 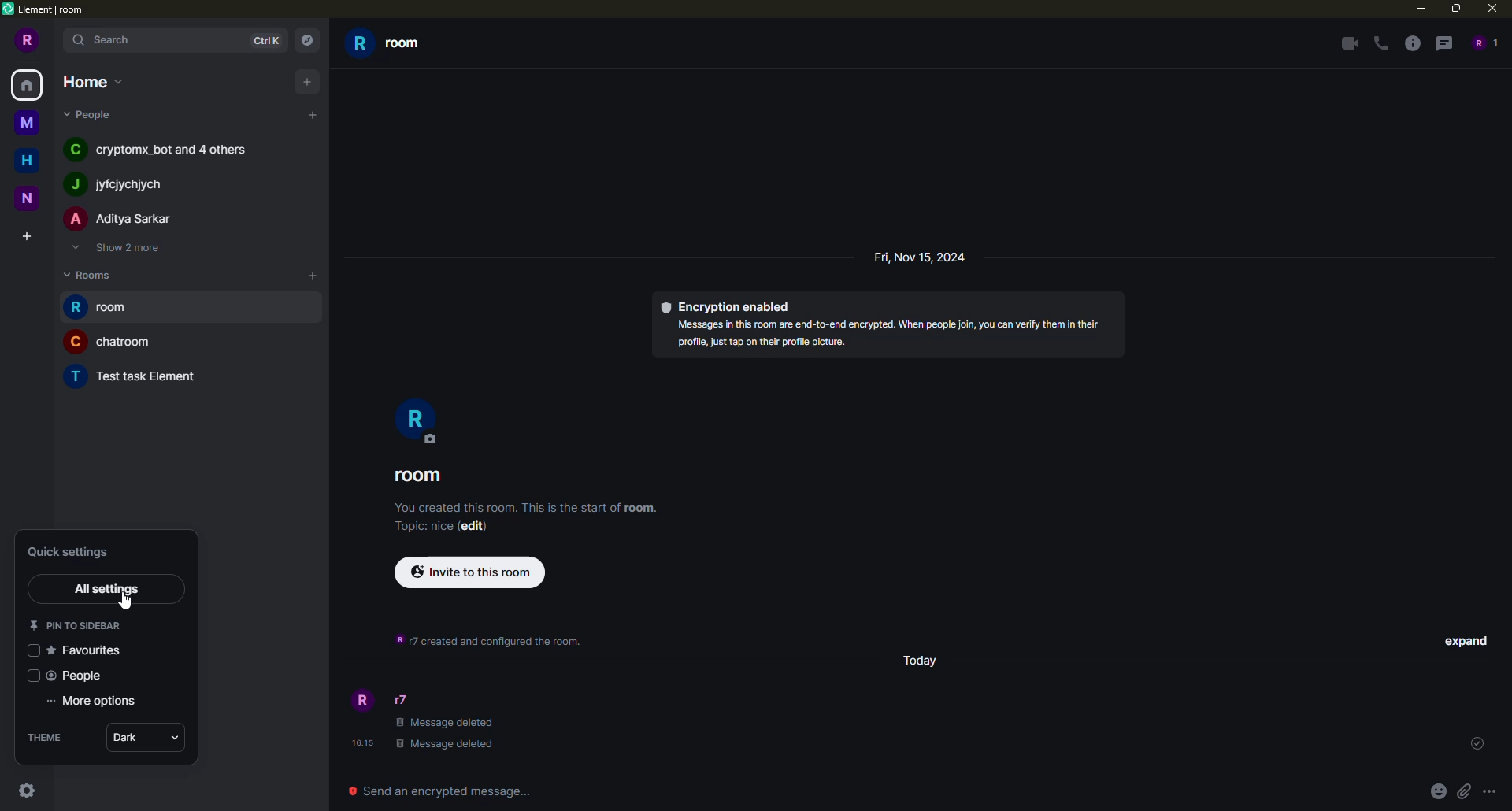 What do you see at coordinates (423, 476) in the screenshot?
I see `room` at bounding box center [423, 476].